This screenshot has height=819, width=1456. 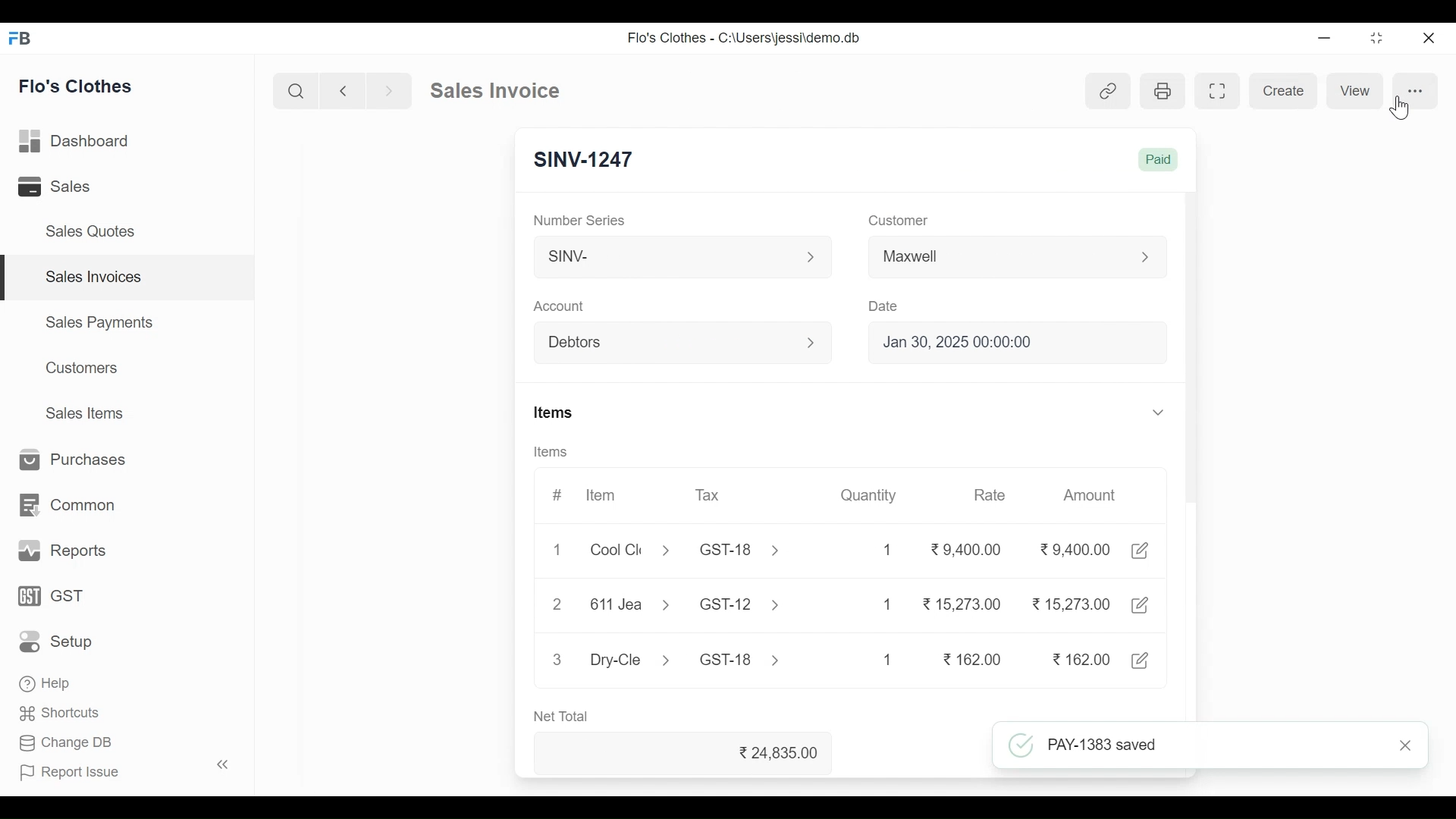 What do you see at coordinates (966, 546) in the screenshot?
I see `9,400.00` at bounding box center [966, 546].